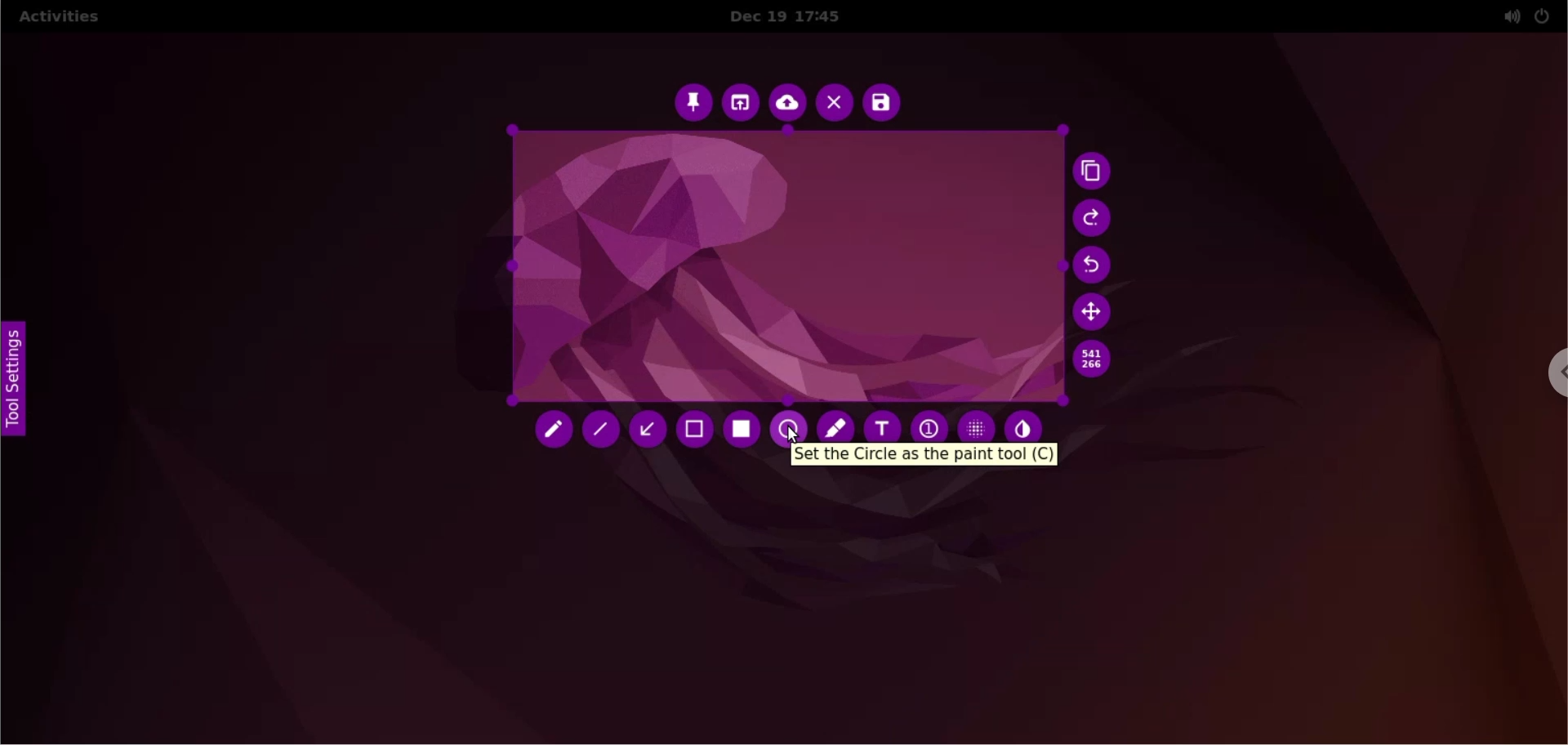 Image resolution: width=1568 pixels, height=745 pixels. What do you see at coordinates (834, 105) in the screenshot?
I see `cancel capture` at bounding box center [834, 105].